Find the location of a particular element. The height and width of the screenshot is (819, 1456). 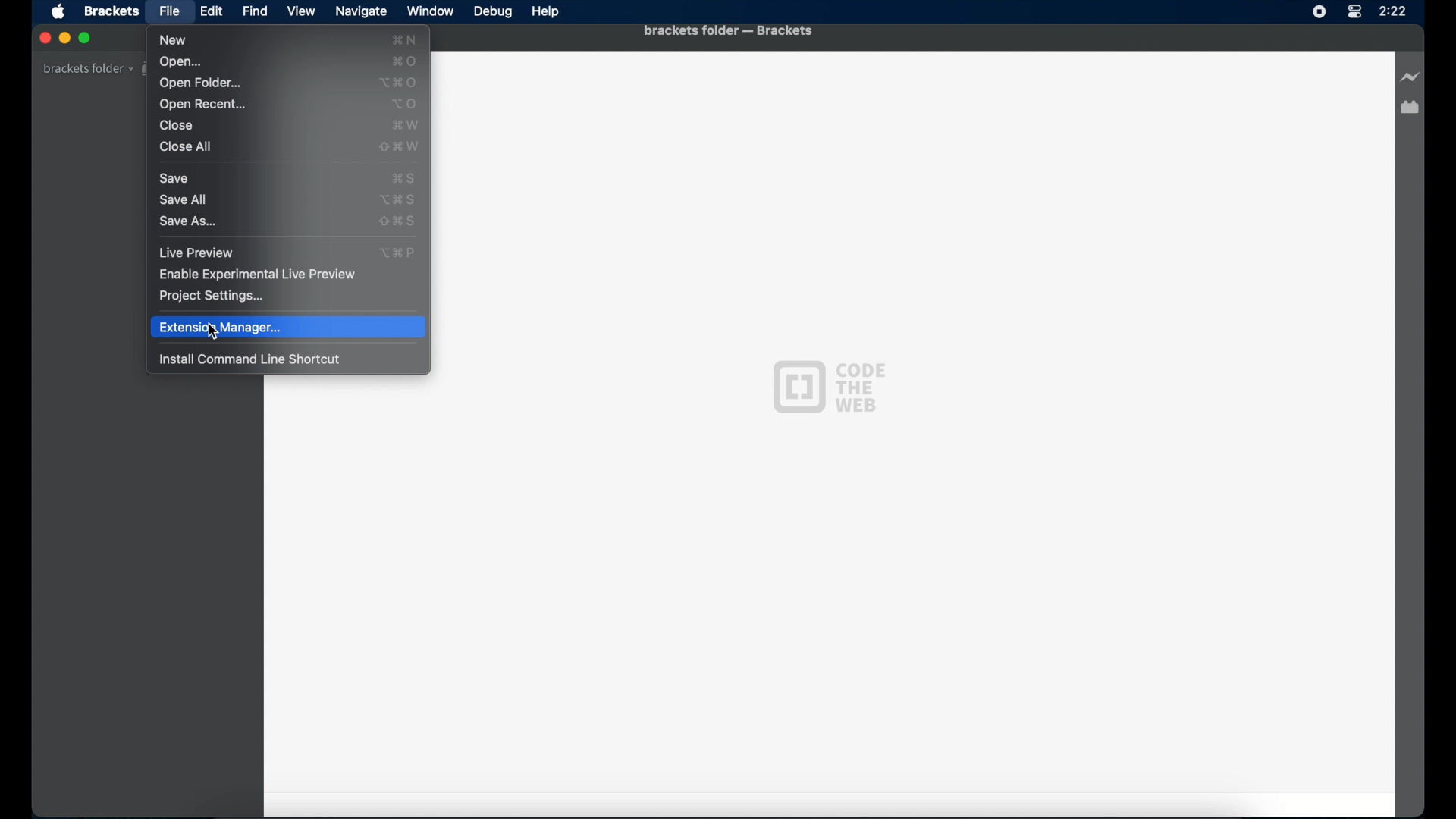

2:22 is located at coordinates (1404, 16).